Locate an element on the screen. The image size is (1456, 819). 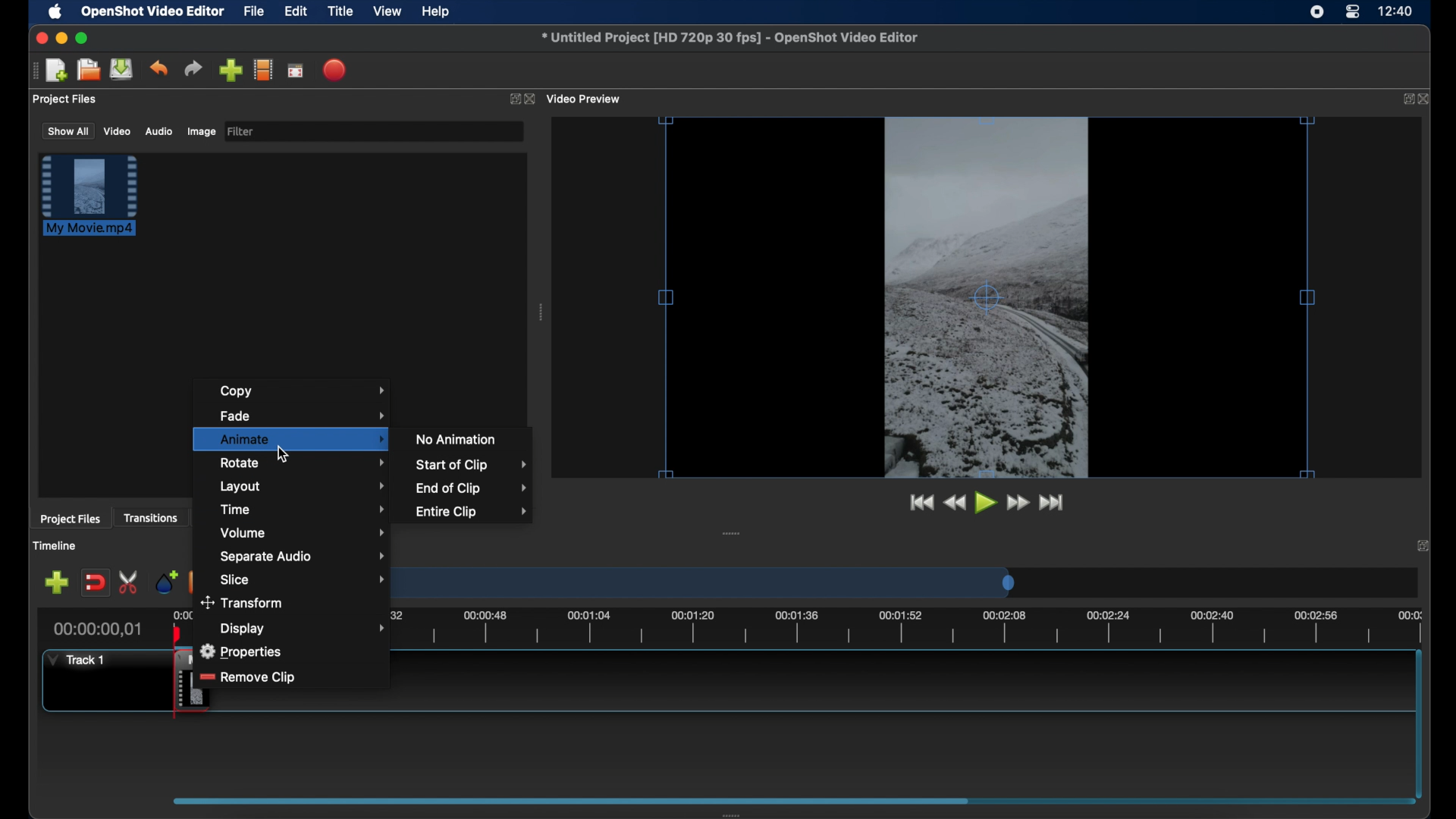
transform is located at coordinates (246, 603).